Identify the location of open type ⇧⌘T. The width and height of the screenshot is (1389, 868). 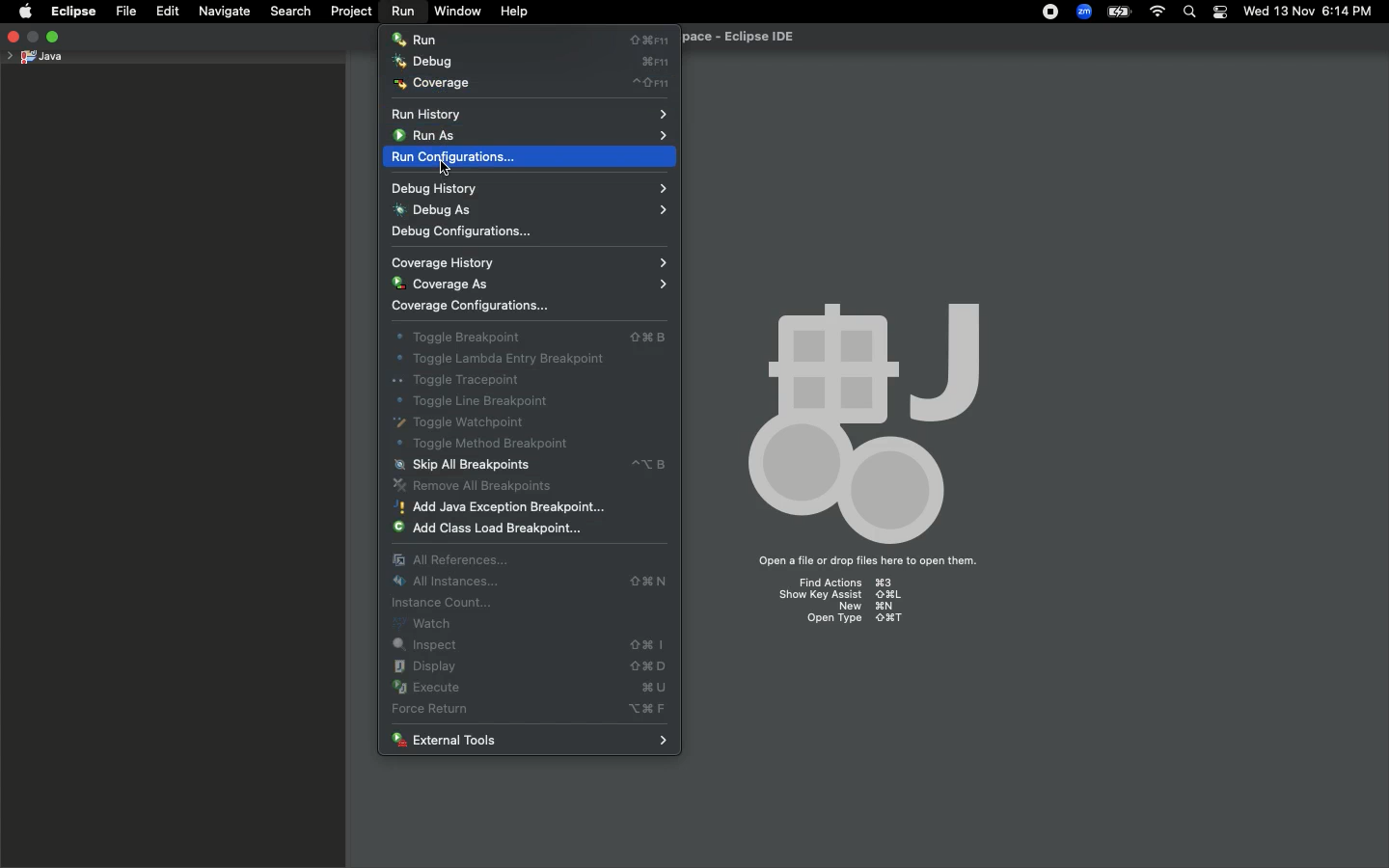
(851, 618).